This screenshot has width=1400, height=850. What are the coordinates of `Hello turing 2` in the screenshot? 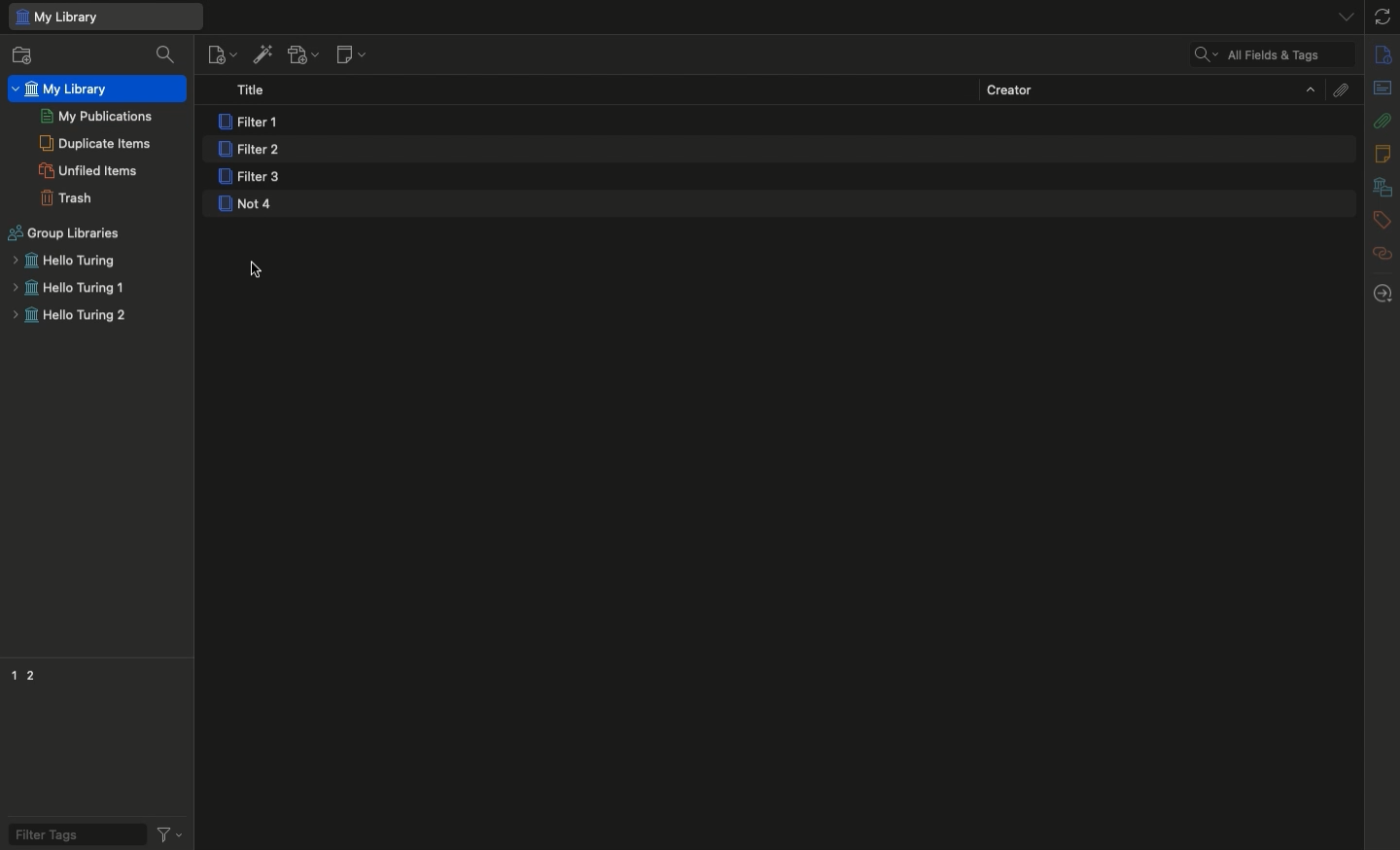 It's located at (67, 320).